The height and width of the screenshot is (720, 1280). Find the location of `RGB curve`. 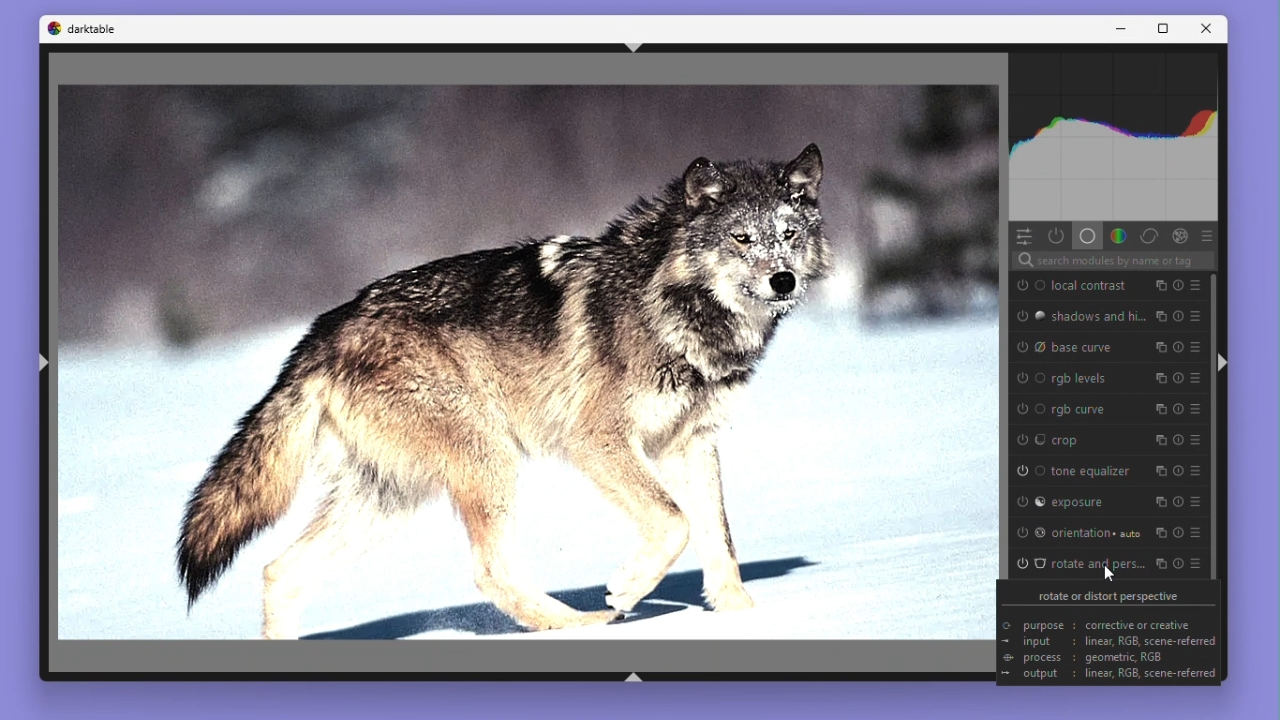

RGB curve is located at coordinates (1108, 407).